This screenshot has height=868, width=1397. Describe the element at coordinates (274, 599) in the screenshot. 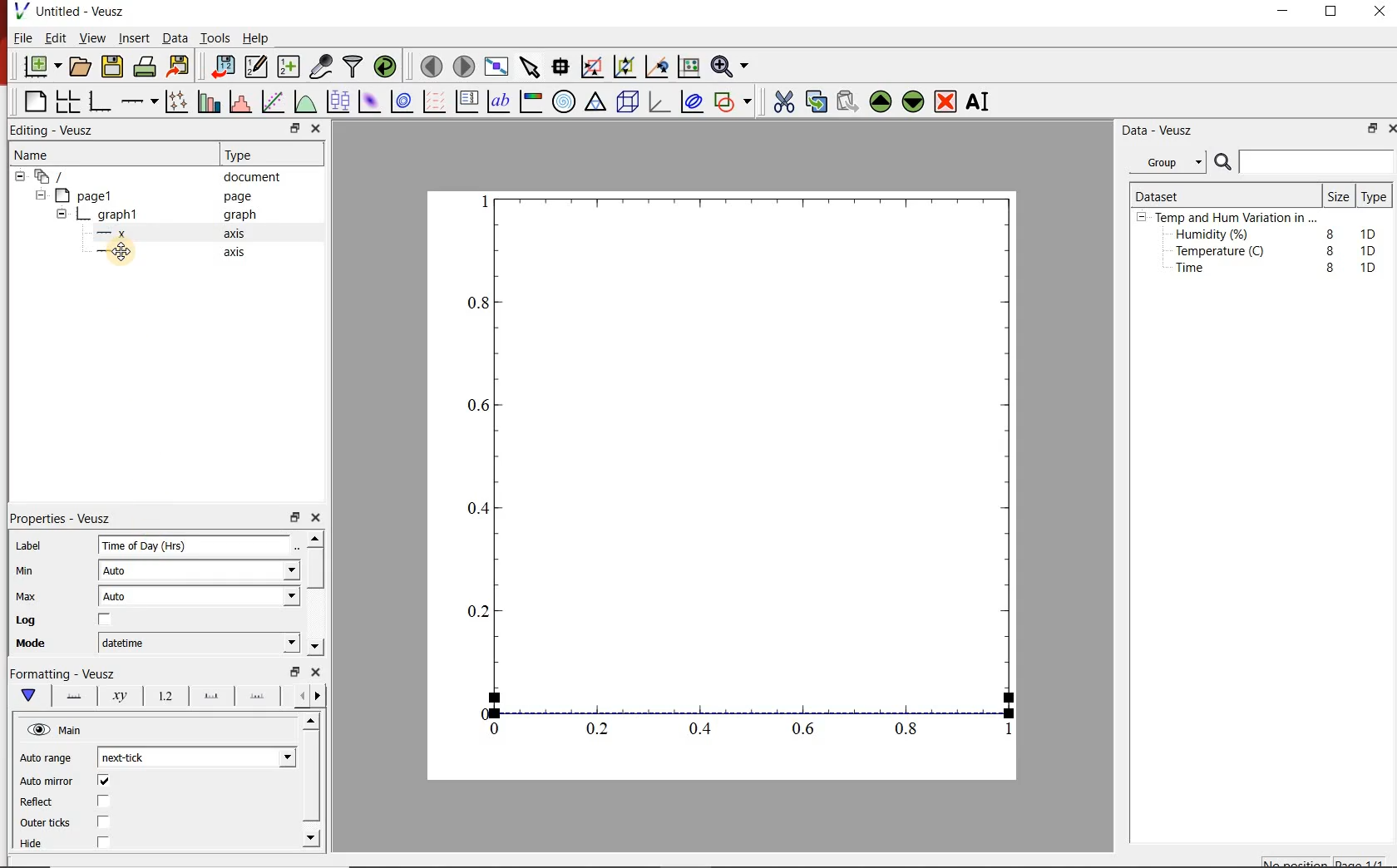

I see `Max dropdown` at that location.